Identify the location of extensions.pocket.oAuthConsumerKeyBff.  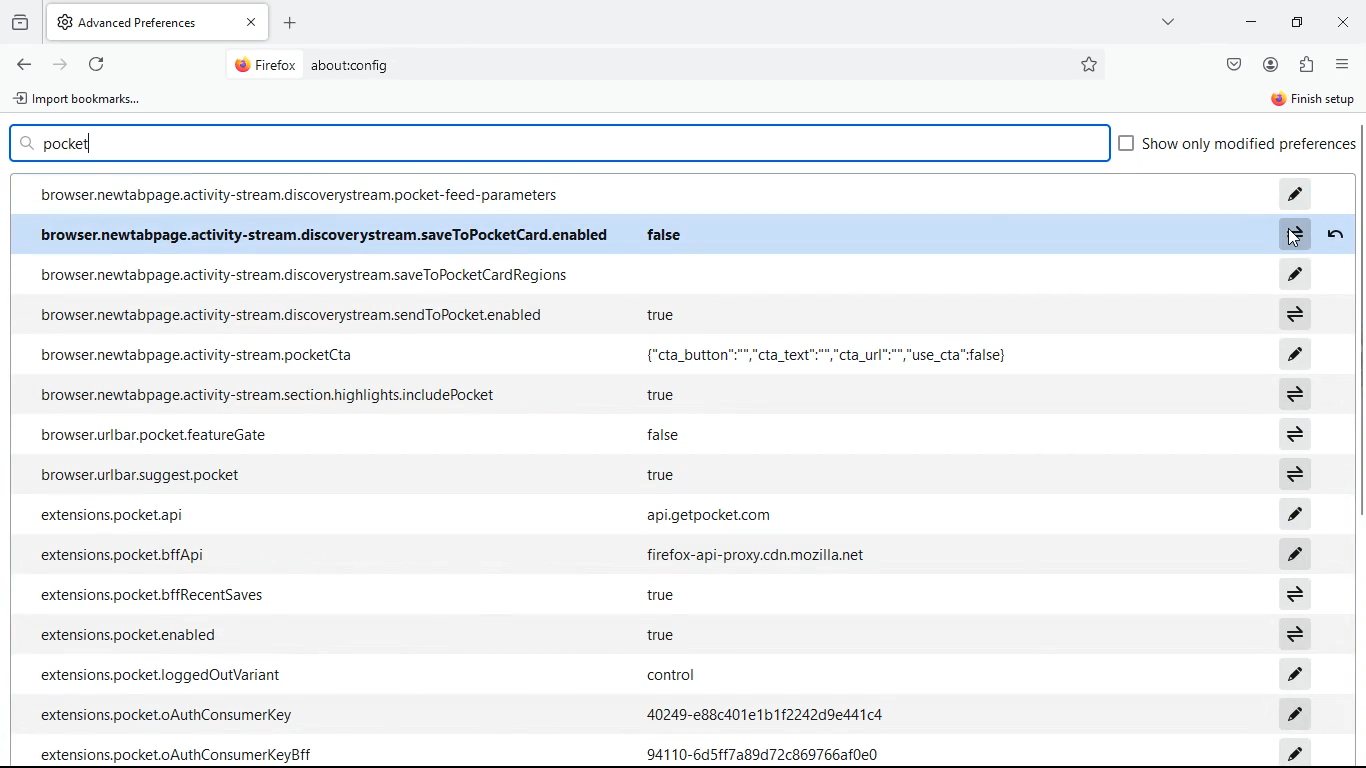
(177, 753).